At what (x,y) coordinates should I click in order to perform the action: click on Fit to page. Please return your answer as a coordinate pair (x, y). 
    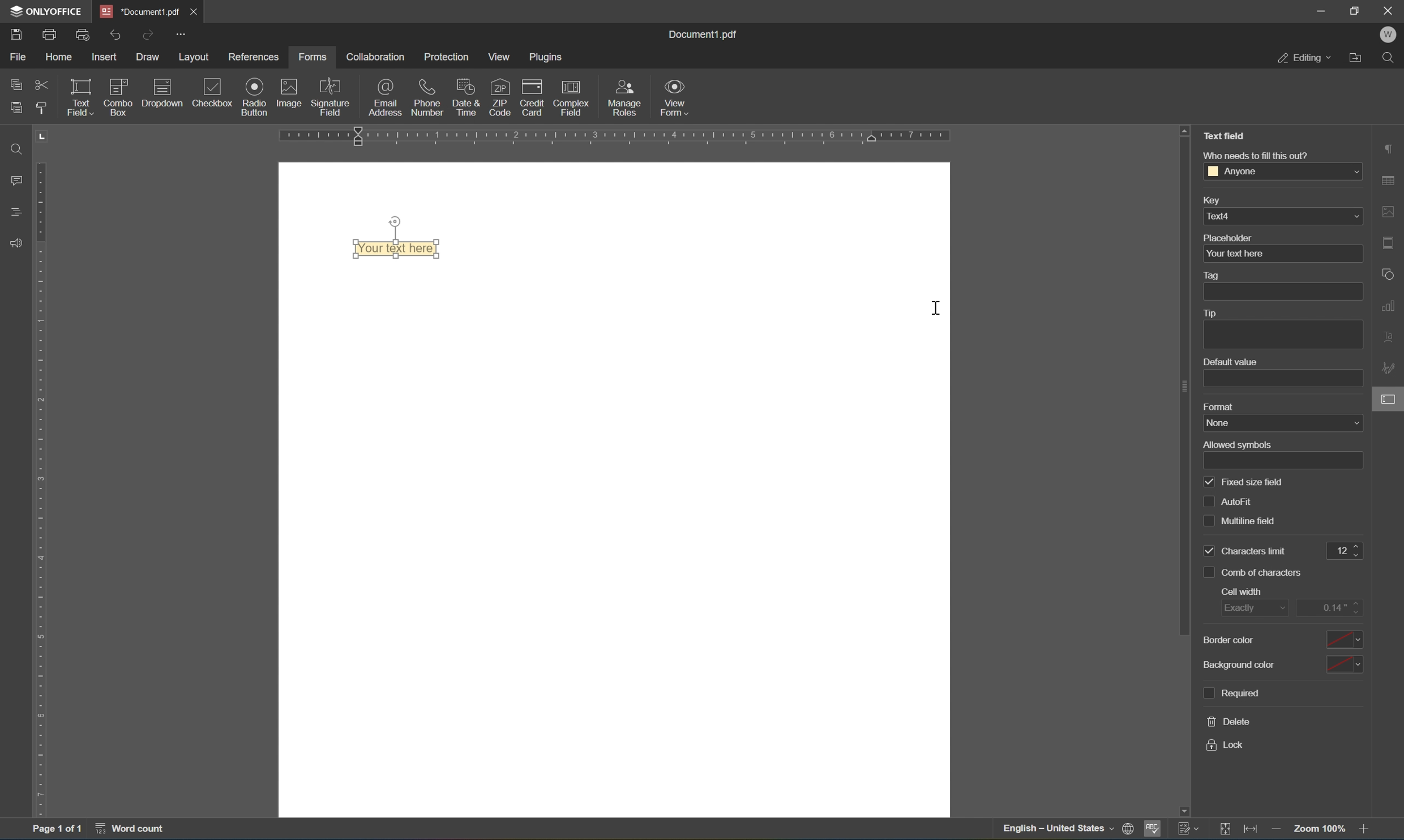
    Looking at the image, I should click on (1252, 830).